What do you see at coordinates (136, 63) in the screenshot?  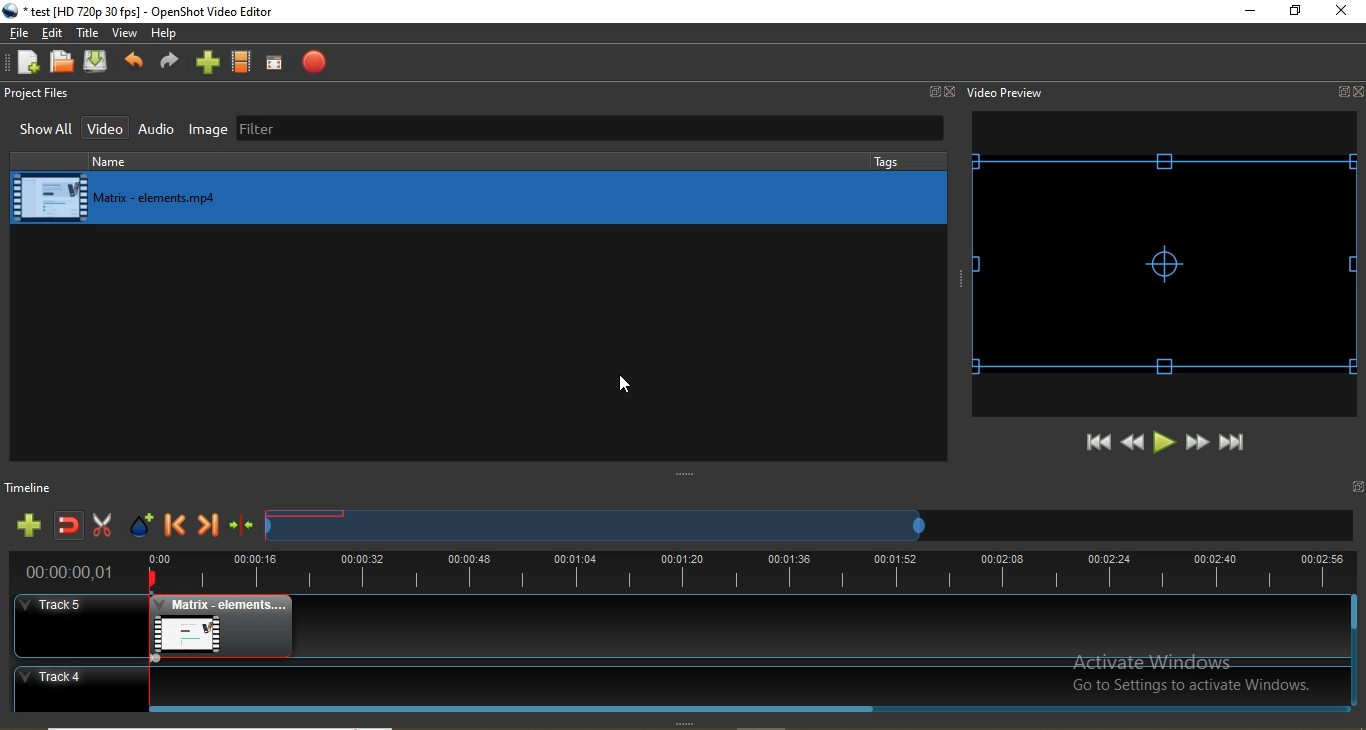 I see `Undo` at bounding box center [136, 63].